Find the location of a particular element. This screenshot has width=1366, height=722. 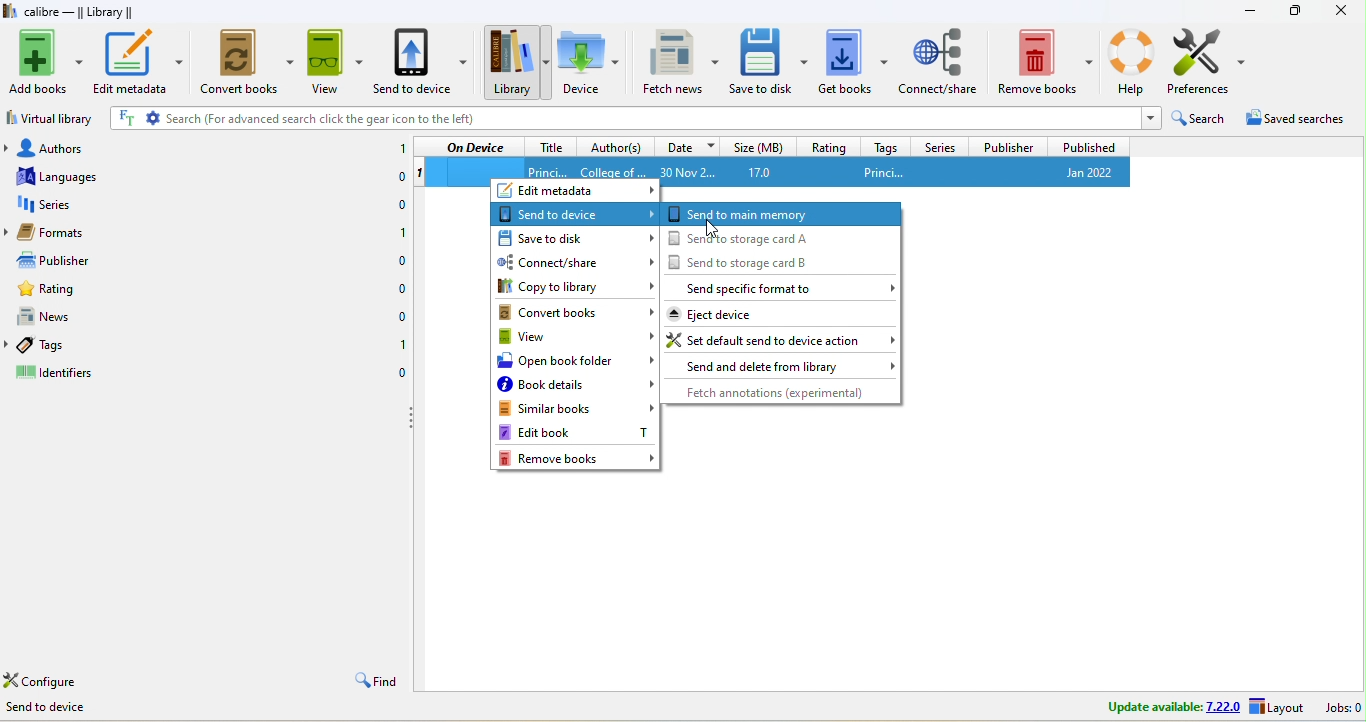

copy to library is located at coordinates (575, 288).